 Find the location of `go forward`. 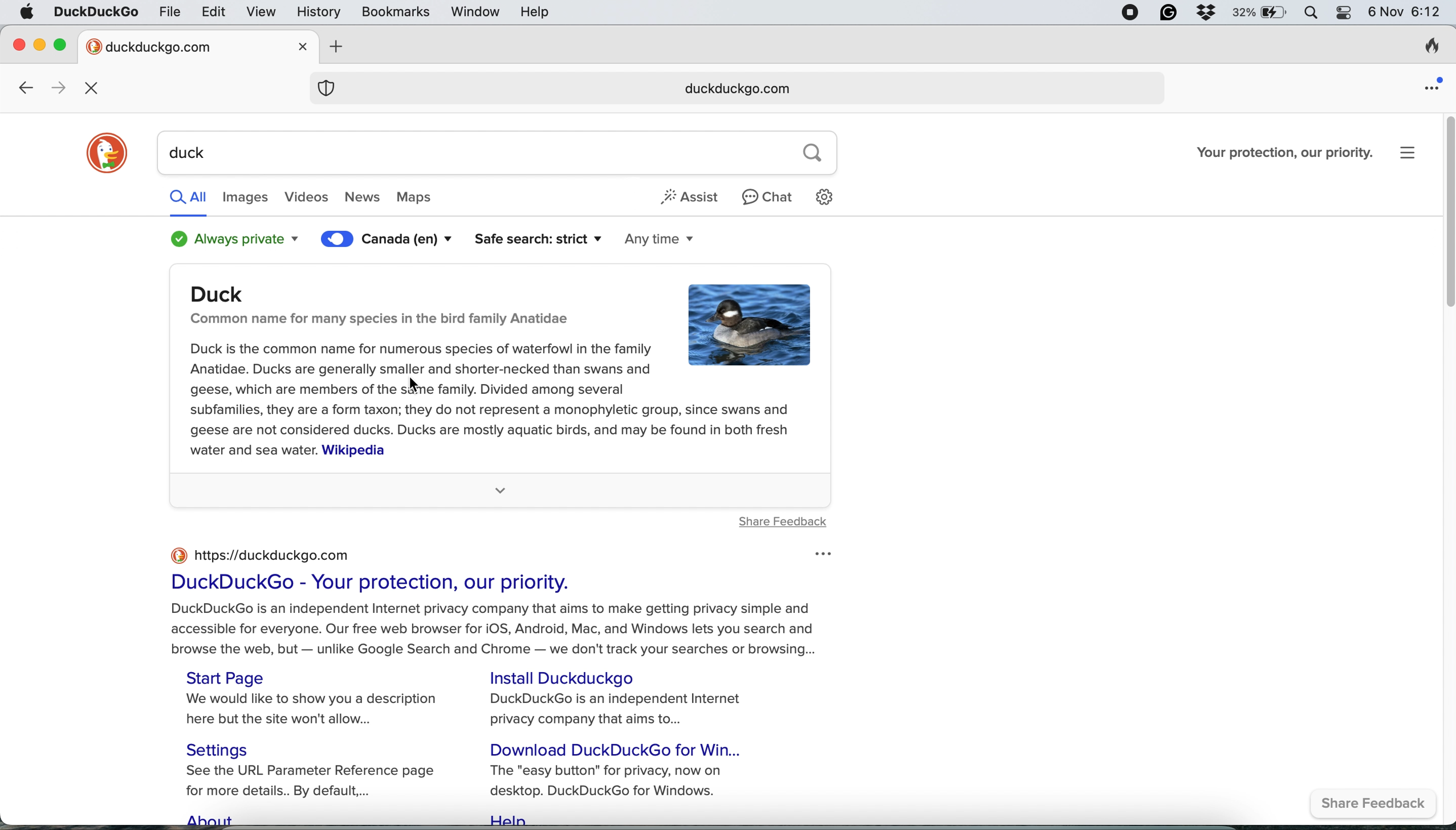

go forward is located at coordinates (55, 88).